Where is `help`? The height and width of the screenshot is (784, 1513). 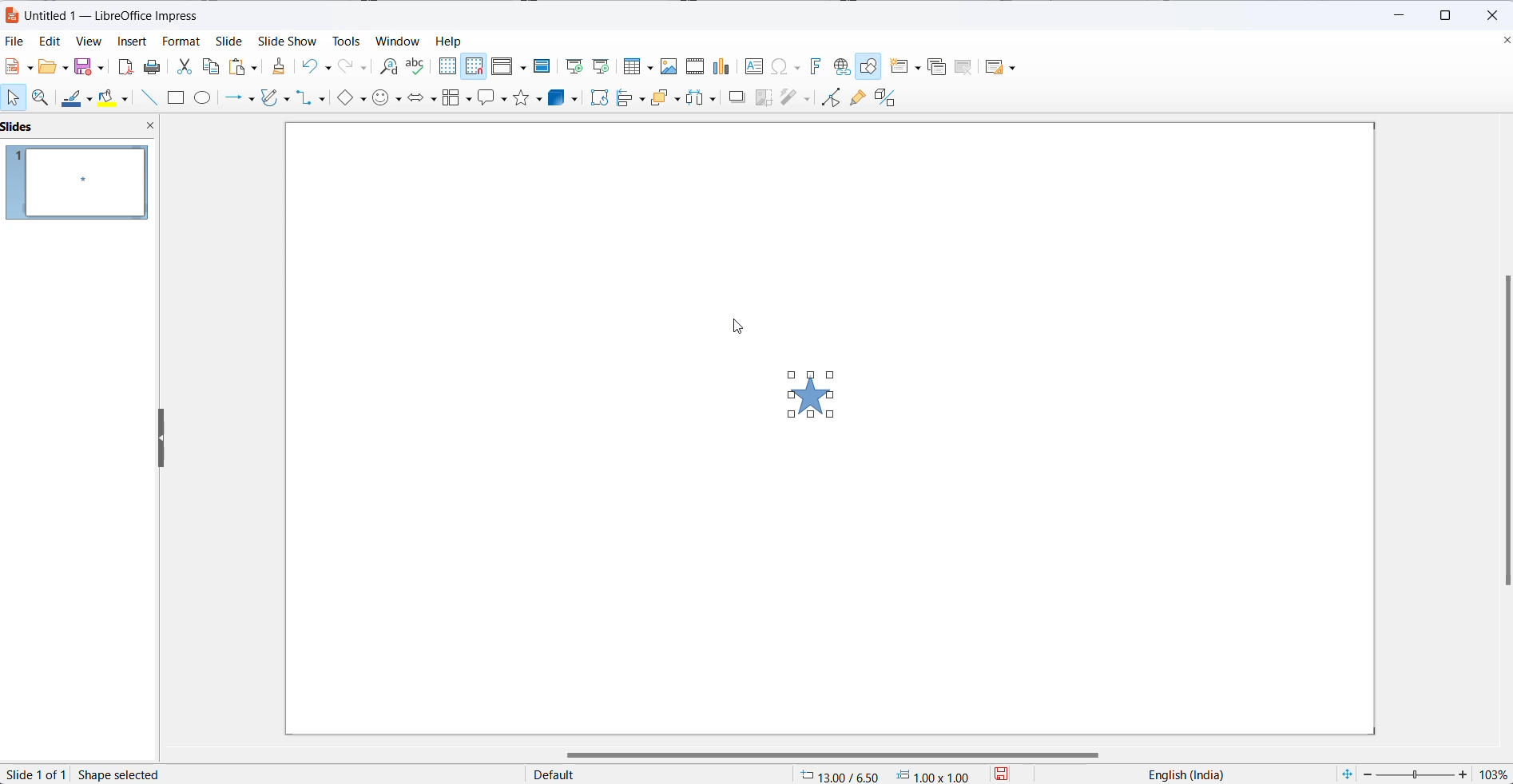
help is located at coordinates (455, 41).